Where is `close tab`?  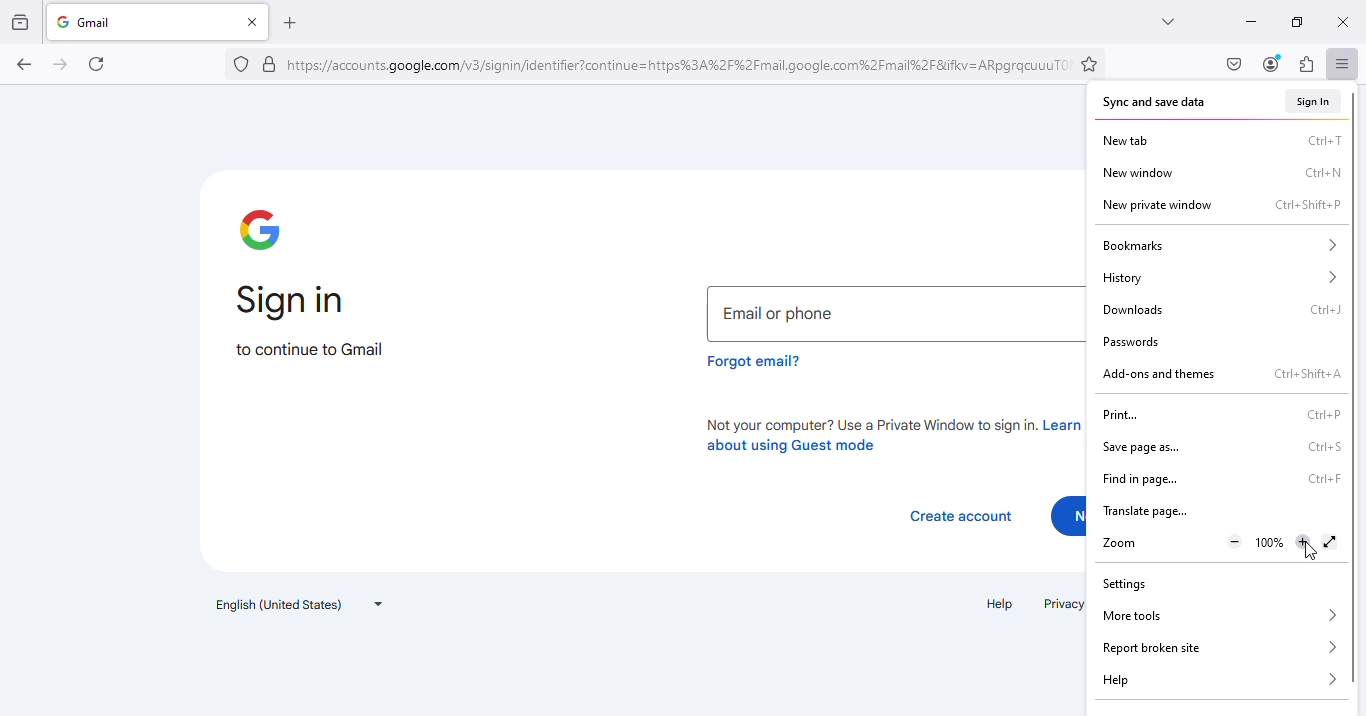 close tab is located at coordinates (254, 21).